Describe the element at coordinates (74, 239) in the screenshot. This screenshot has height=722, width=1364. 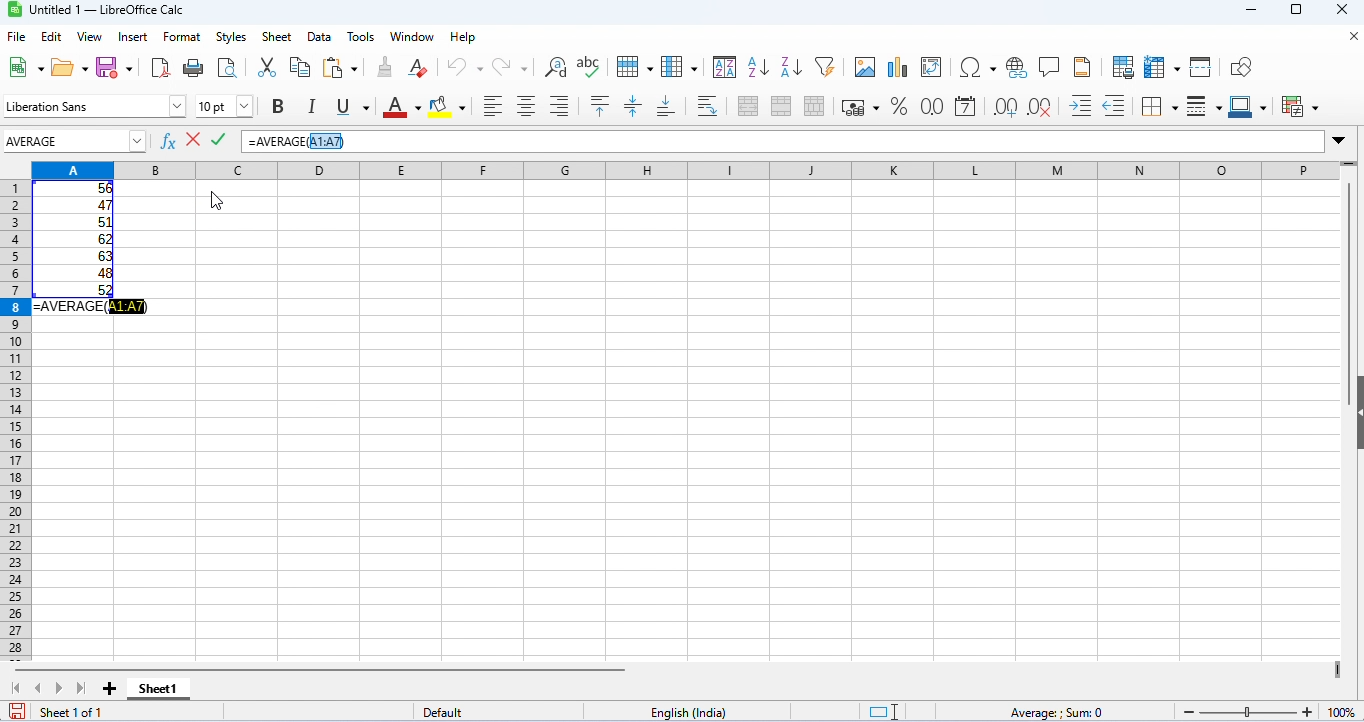
I see `range of cells` at that location.